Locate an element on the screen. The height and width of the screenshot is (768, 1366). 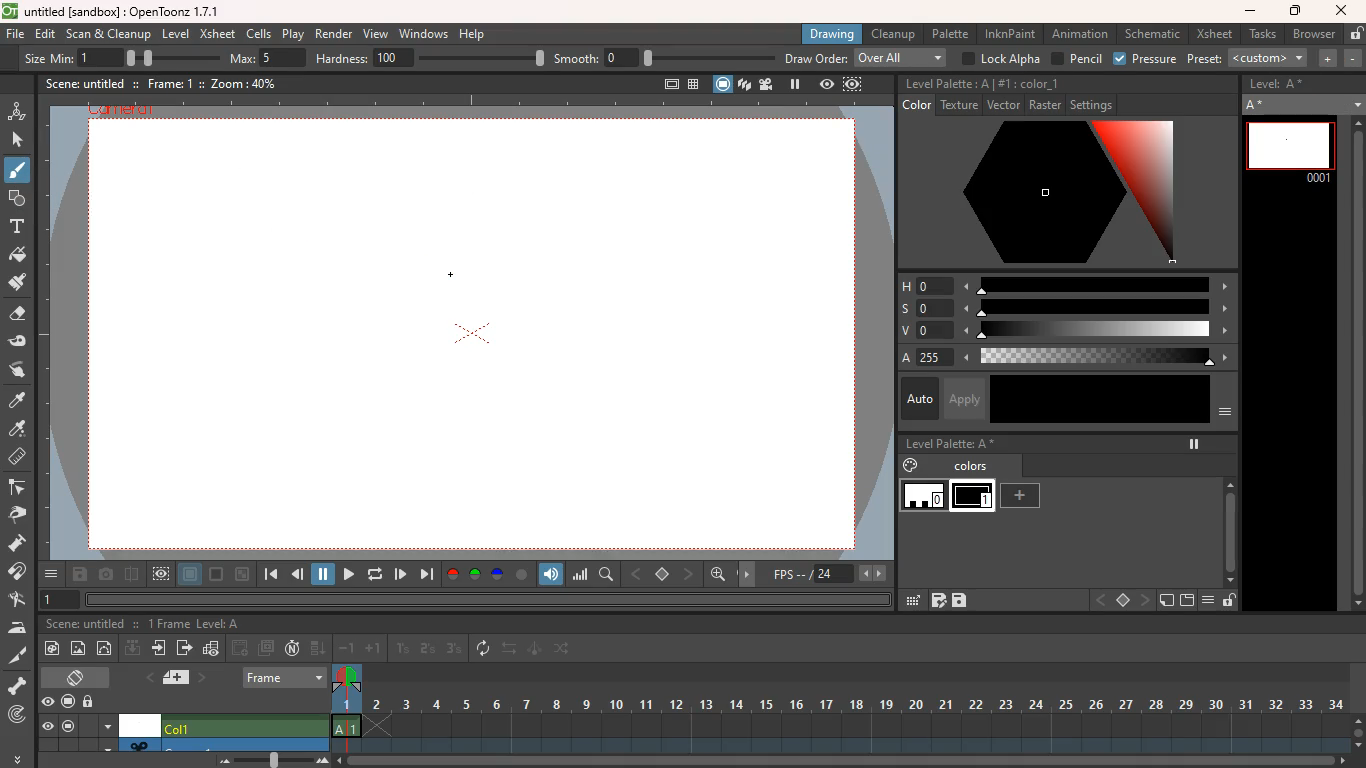
stop is located at coordinates (664, 575).